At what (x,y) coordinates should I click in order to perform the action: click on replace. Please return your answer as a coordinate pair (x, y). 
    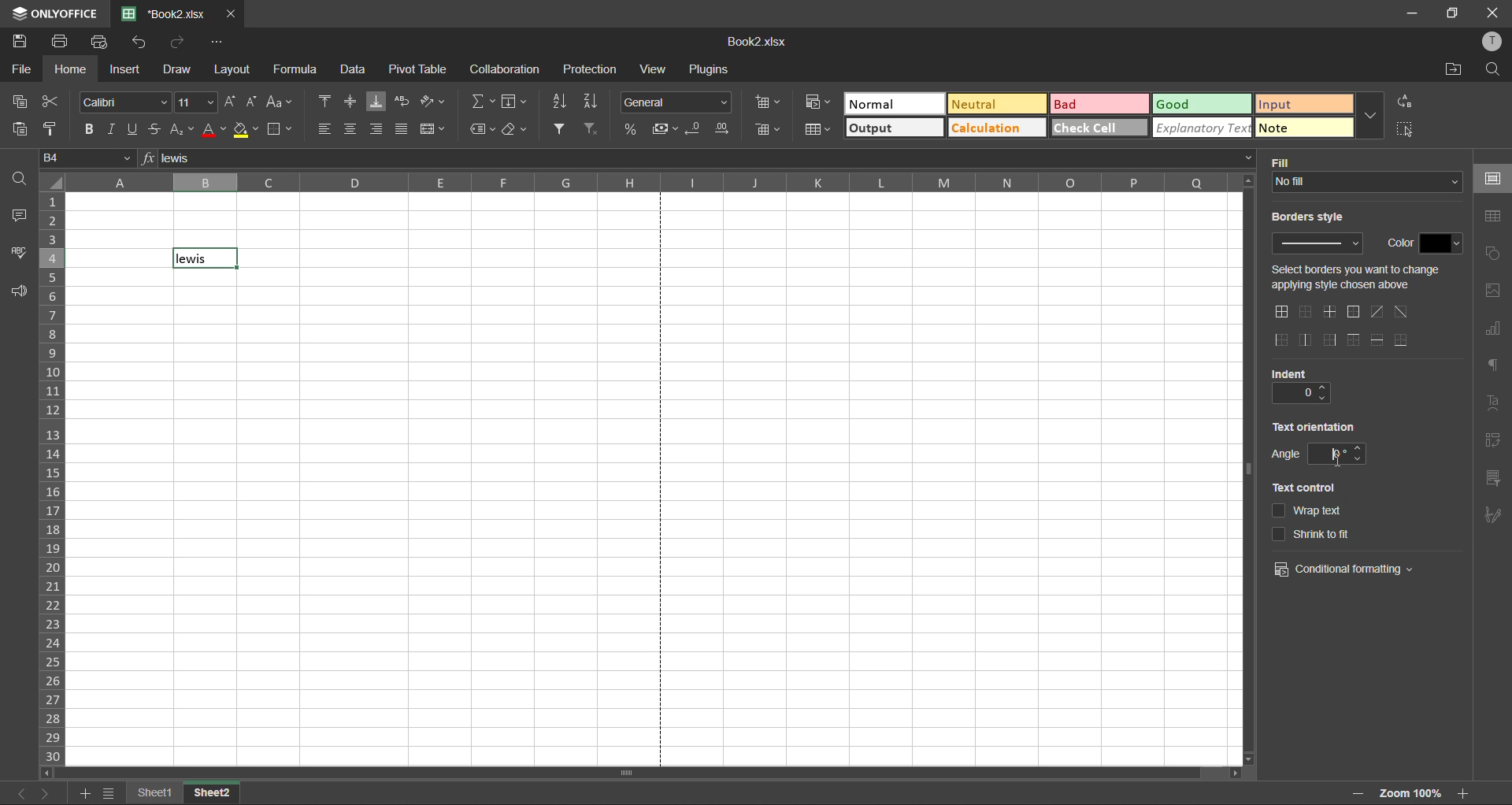
    Looking at the image, I should click on (1406, 106).